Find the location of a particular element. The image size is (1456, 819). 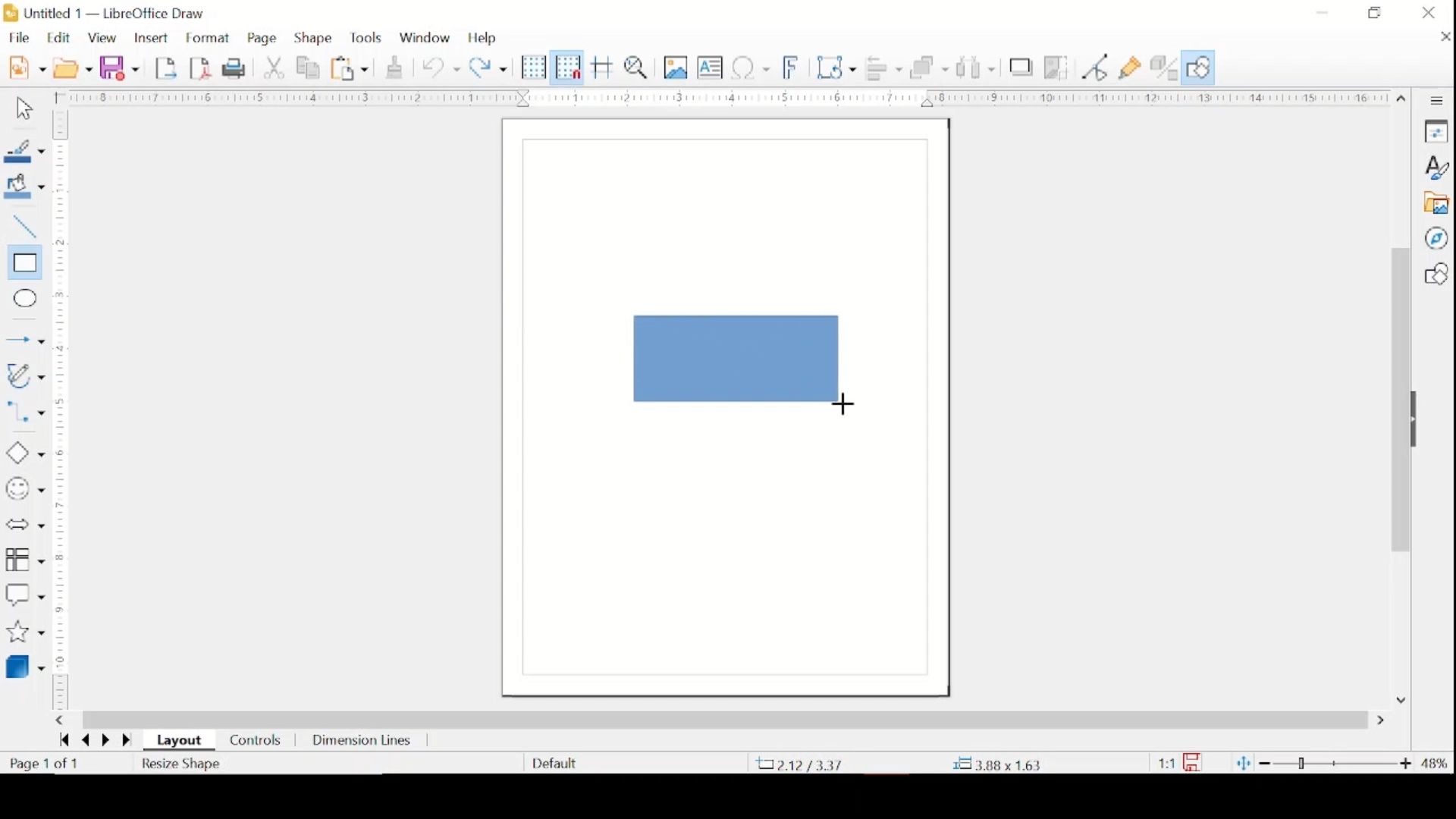

shape is located at coordinates (314, 38).